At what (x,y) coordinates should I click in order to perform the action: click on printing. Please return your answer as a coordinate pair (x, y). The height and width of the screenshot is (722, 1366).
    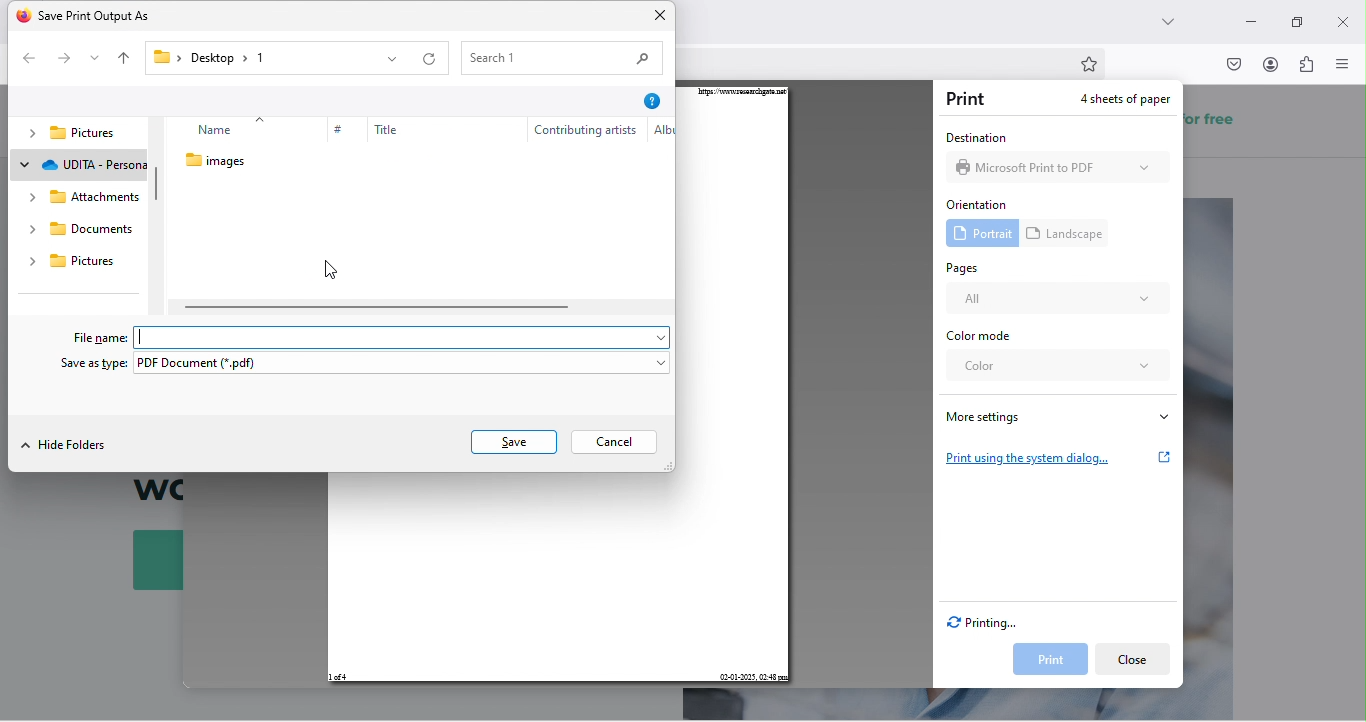
    Looking at the image, I should click on (985, 621).